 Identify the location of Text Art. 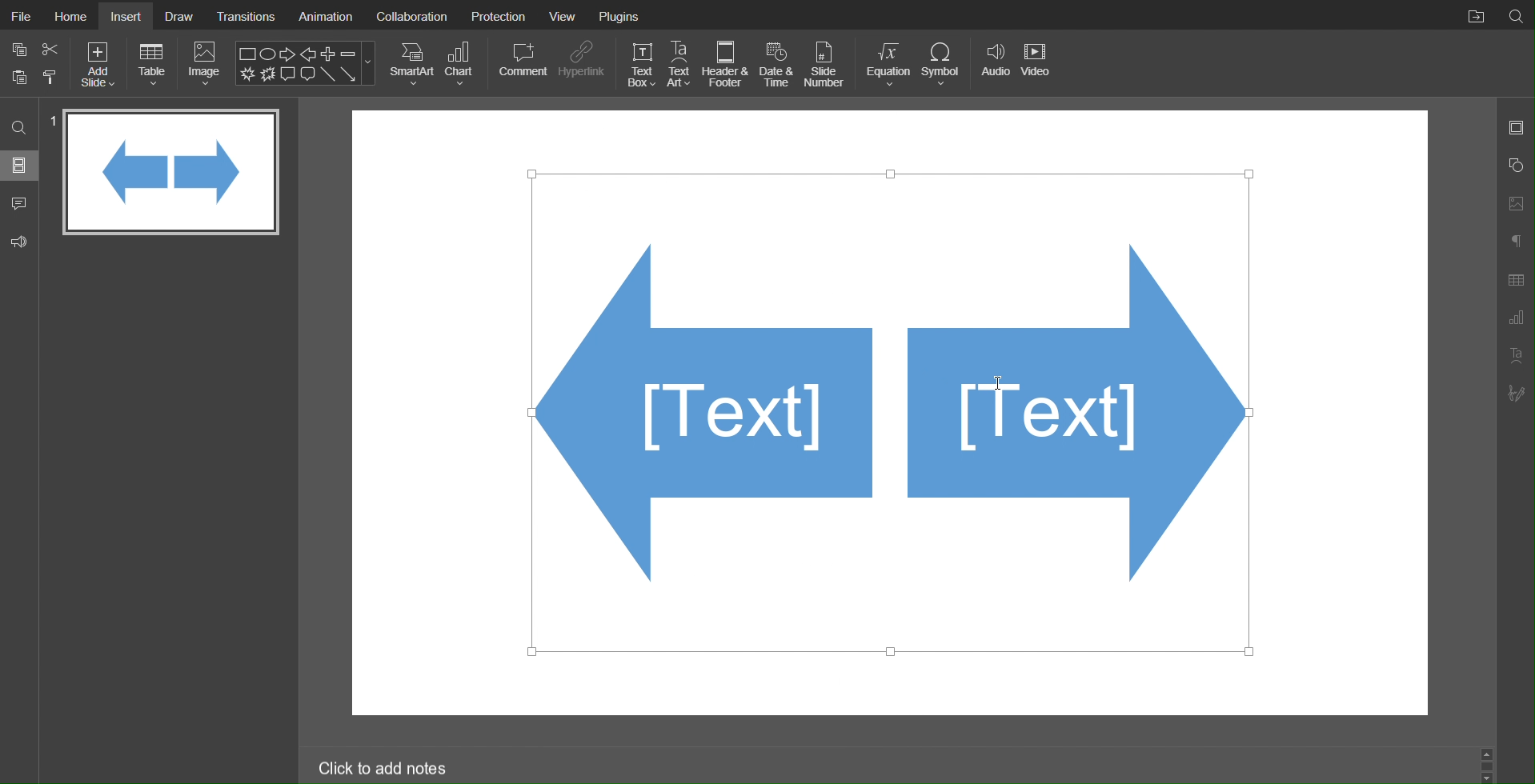
(680, 63).